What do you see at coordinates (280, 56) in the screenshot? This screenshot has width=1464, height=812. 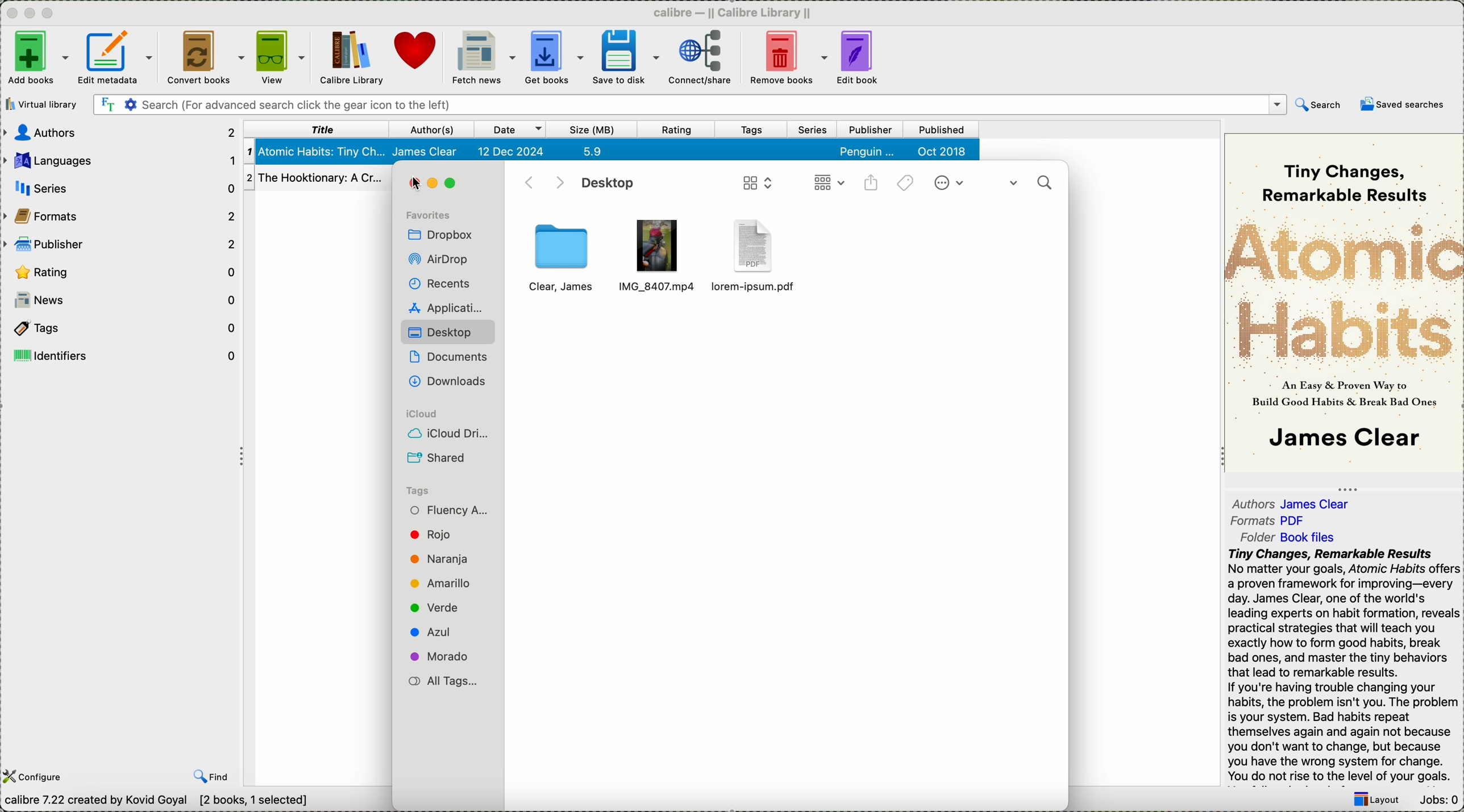 I see `view` at bounding box center [280, 56].